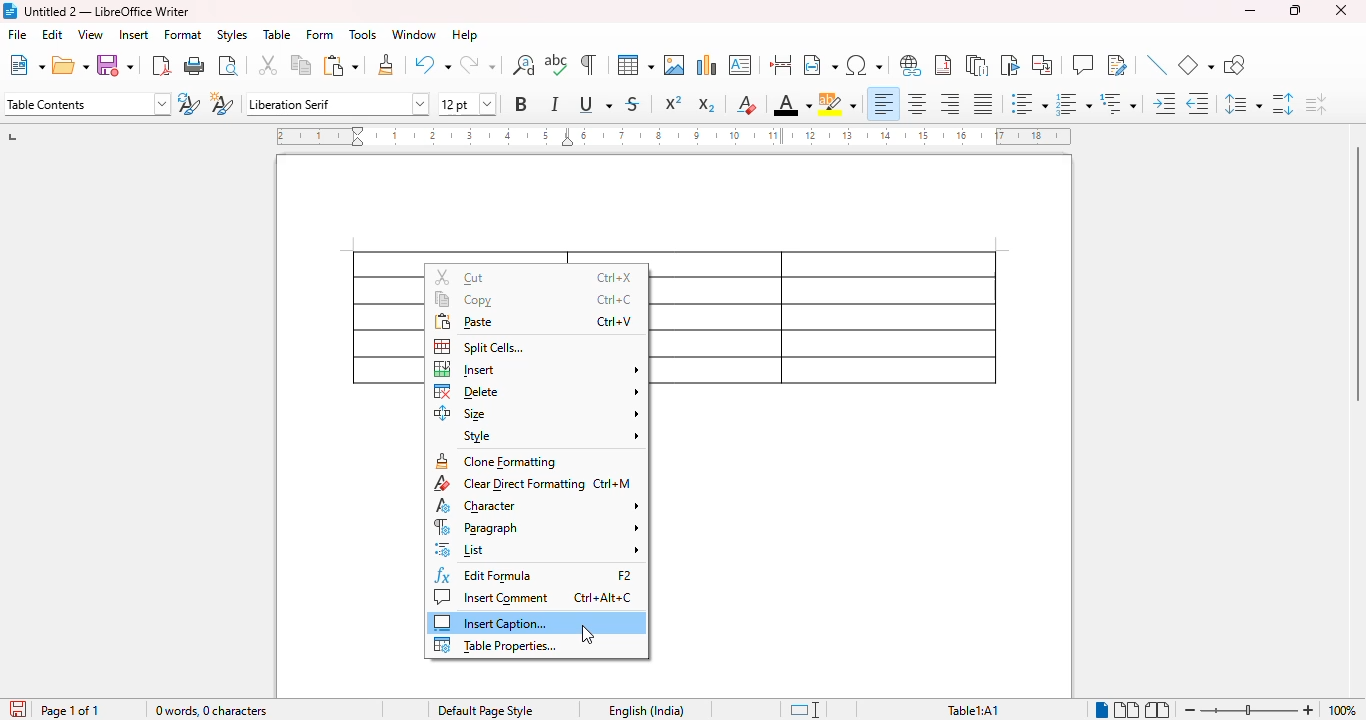 This screenshot has width=1366, height=720. I want to click on font color, so click(793, 104).